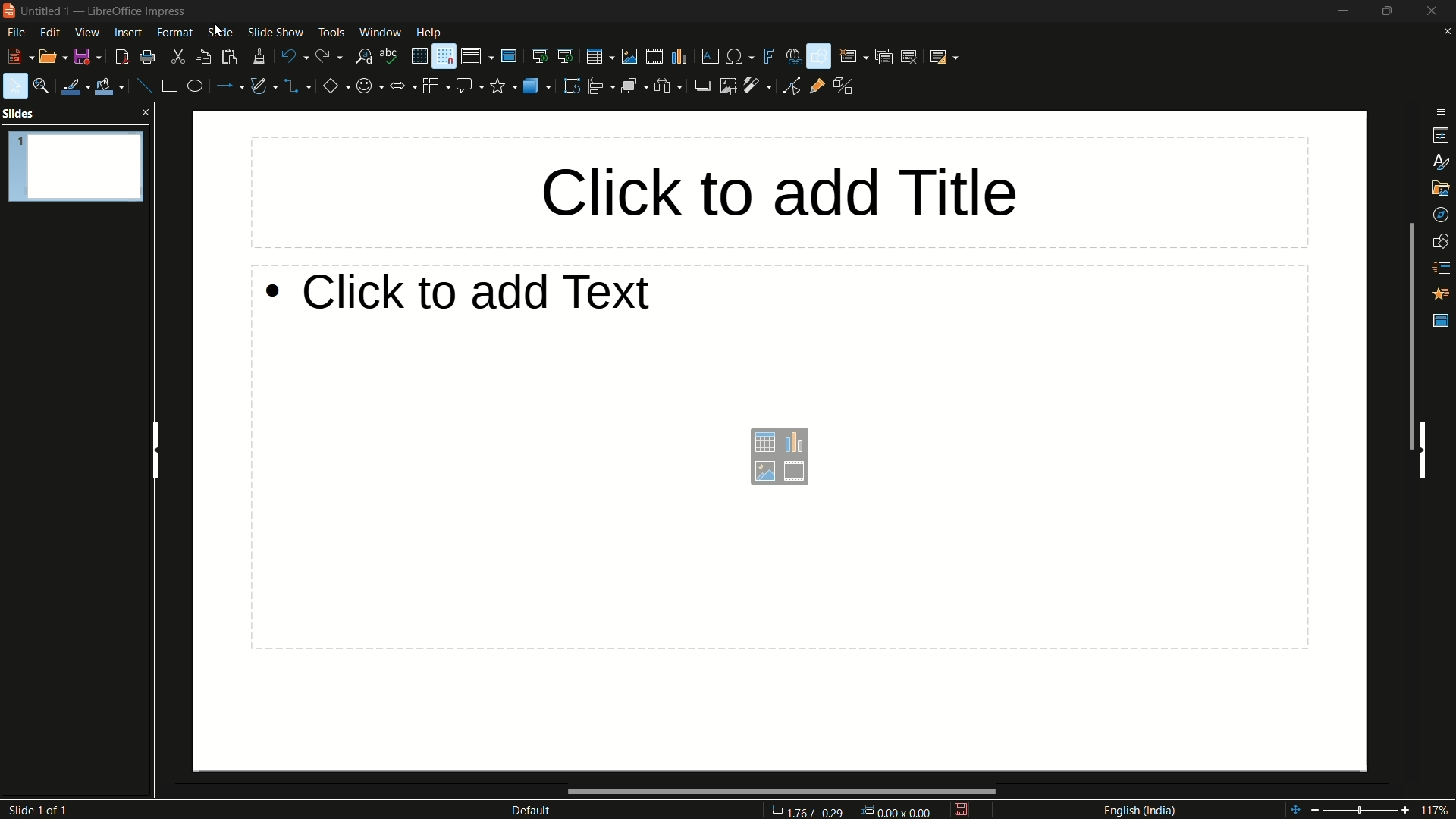 Image resolution: width=1456 pixels, height=819 pixels. What do you see at coordinates (230, 58) in the screenshot?
I see `paste` at bounding box center [230, 58].